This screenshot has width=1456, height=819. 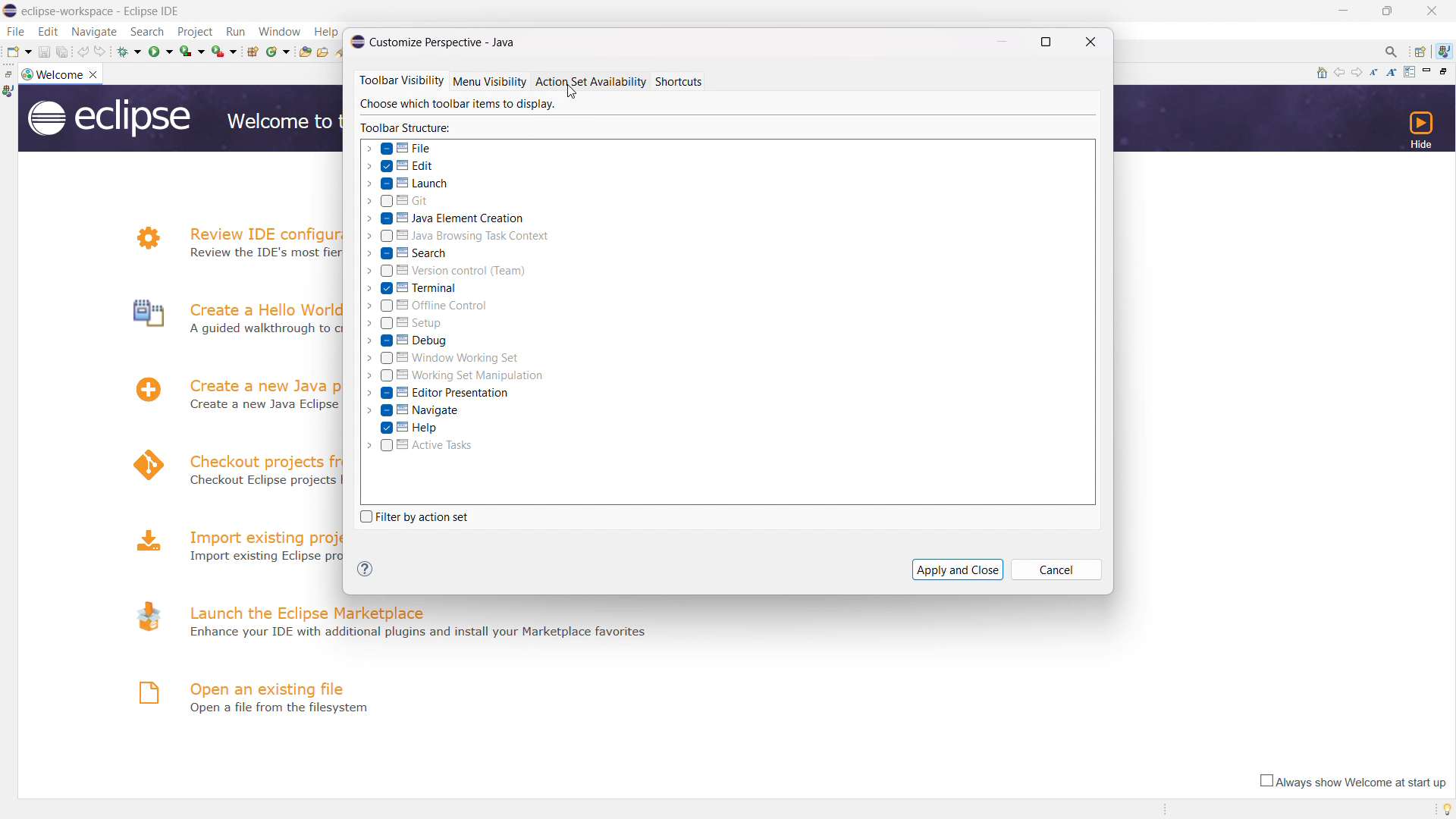 I want to click on help, so click(x=401, y=428).